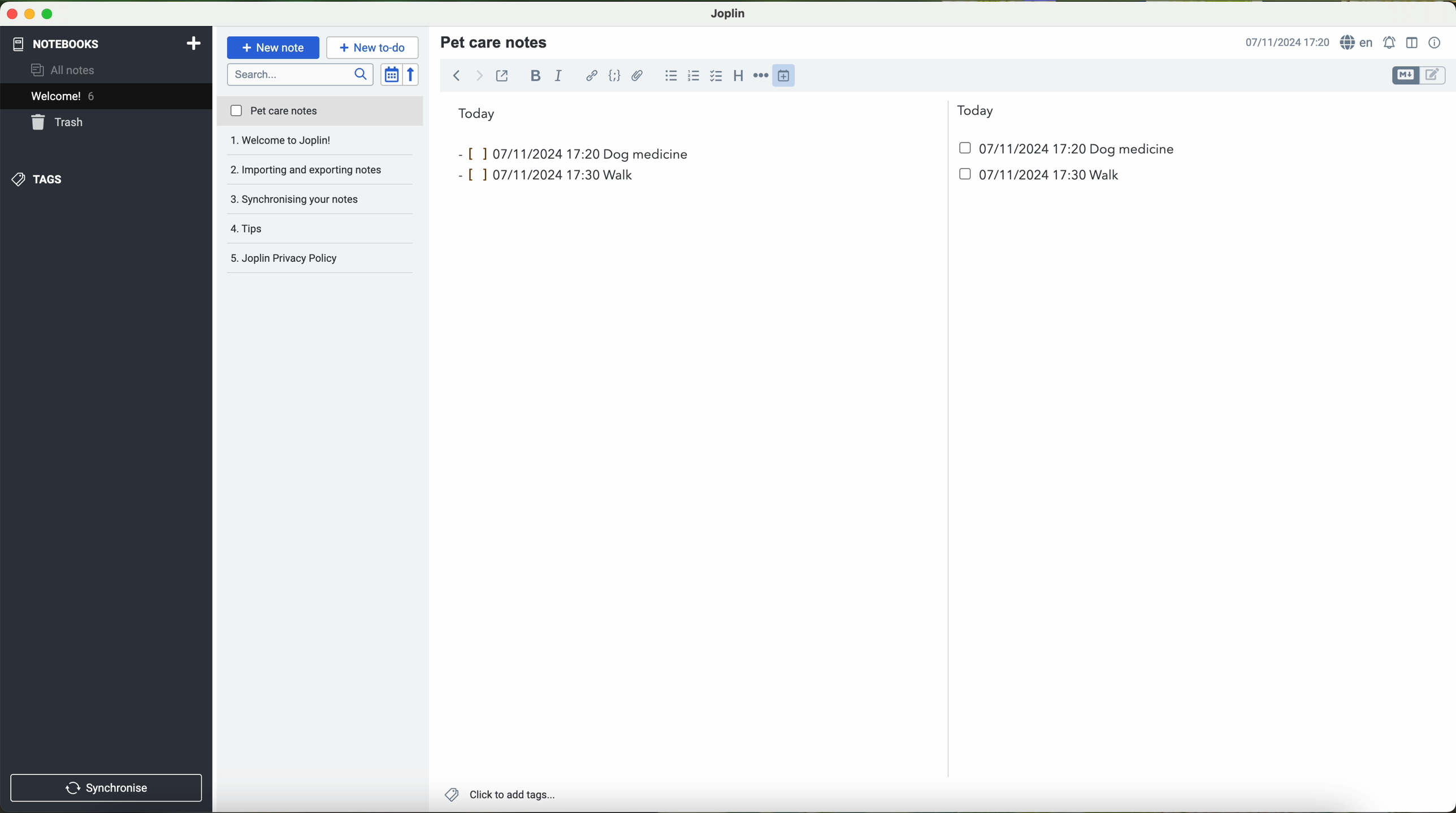 This screenshot has width=1456, height=813. What do you see at coordinates (1013, 148) in the screenshot?
I see `date and hour` at bounding box center [1013, 148].